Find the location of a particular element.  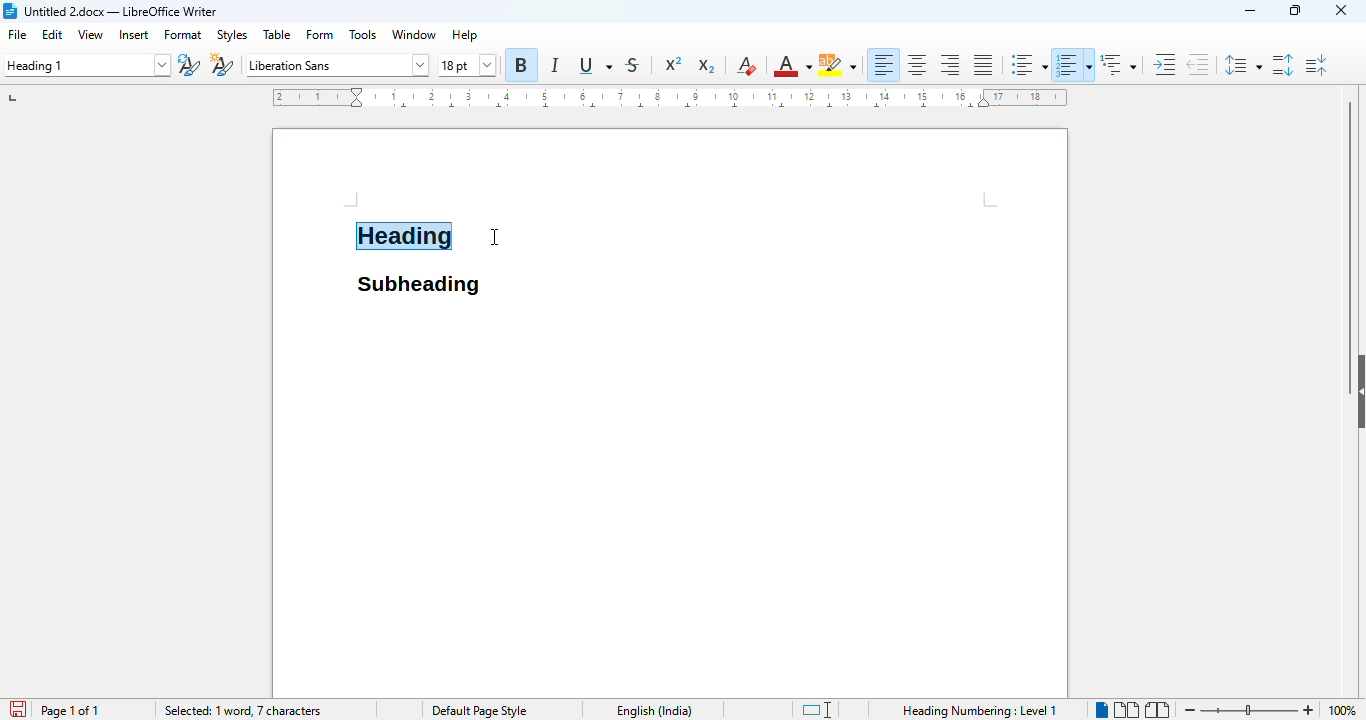

page style is located at coordinates (477, 710).